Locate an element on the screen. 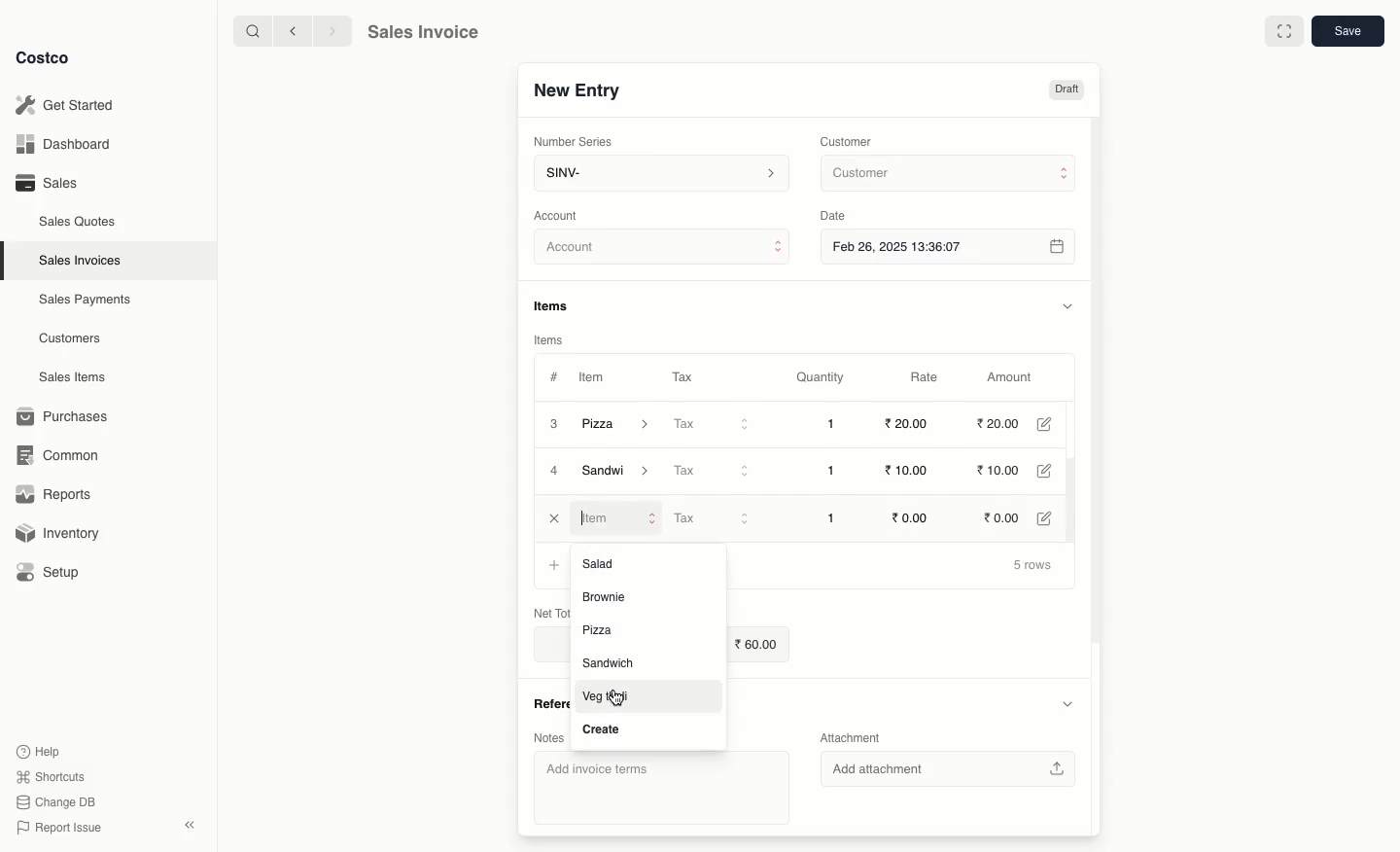 The height and width of the screenshot is (852, 1400). Attachment is located at coordinates (852, 739).